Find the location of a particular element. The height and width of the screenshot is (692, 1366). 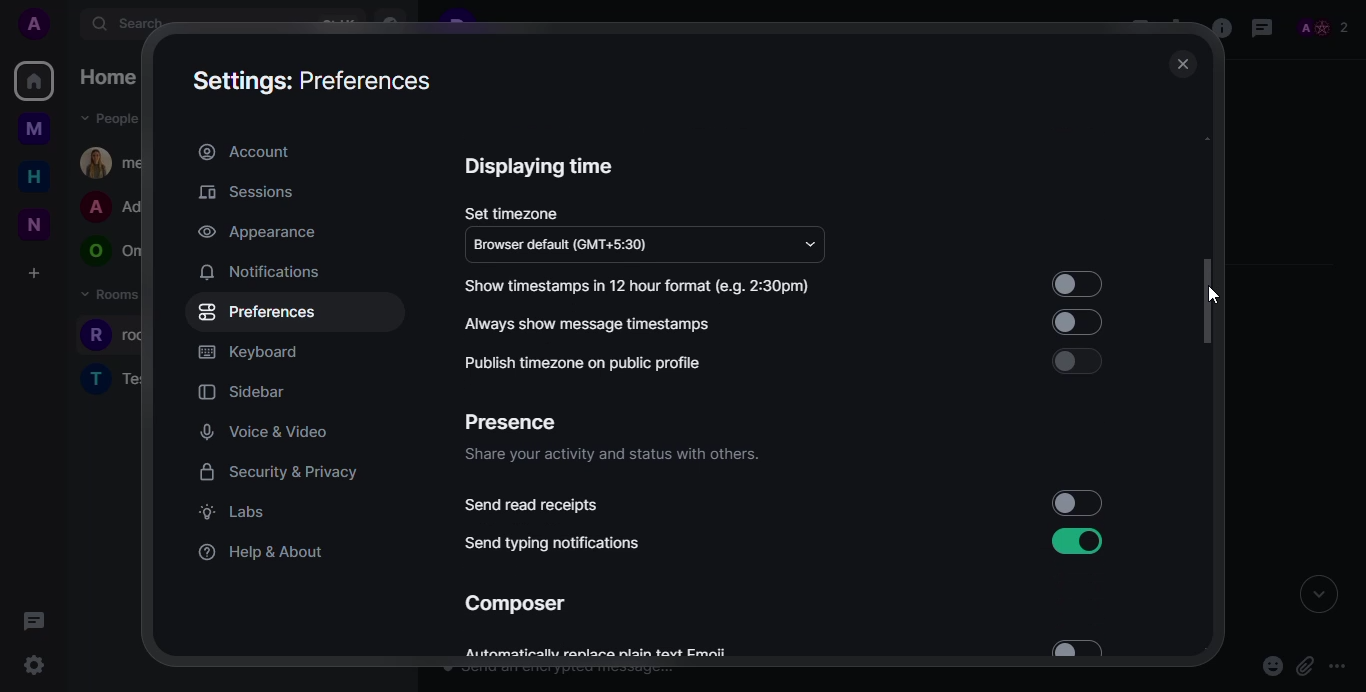

people dropdown is located at coordinates (113, 119).